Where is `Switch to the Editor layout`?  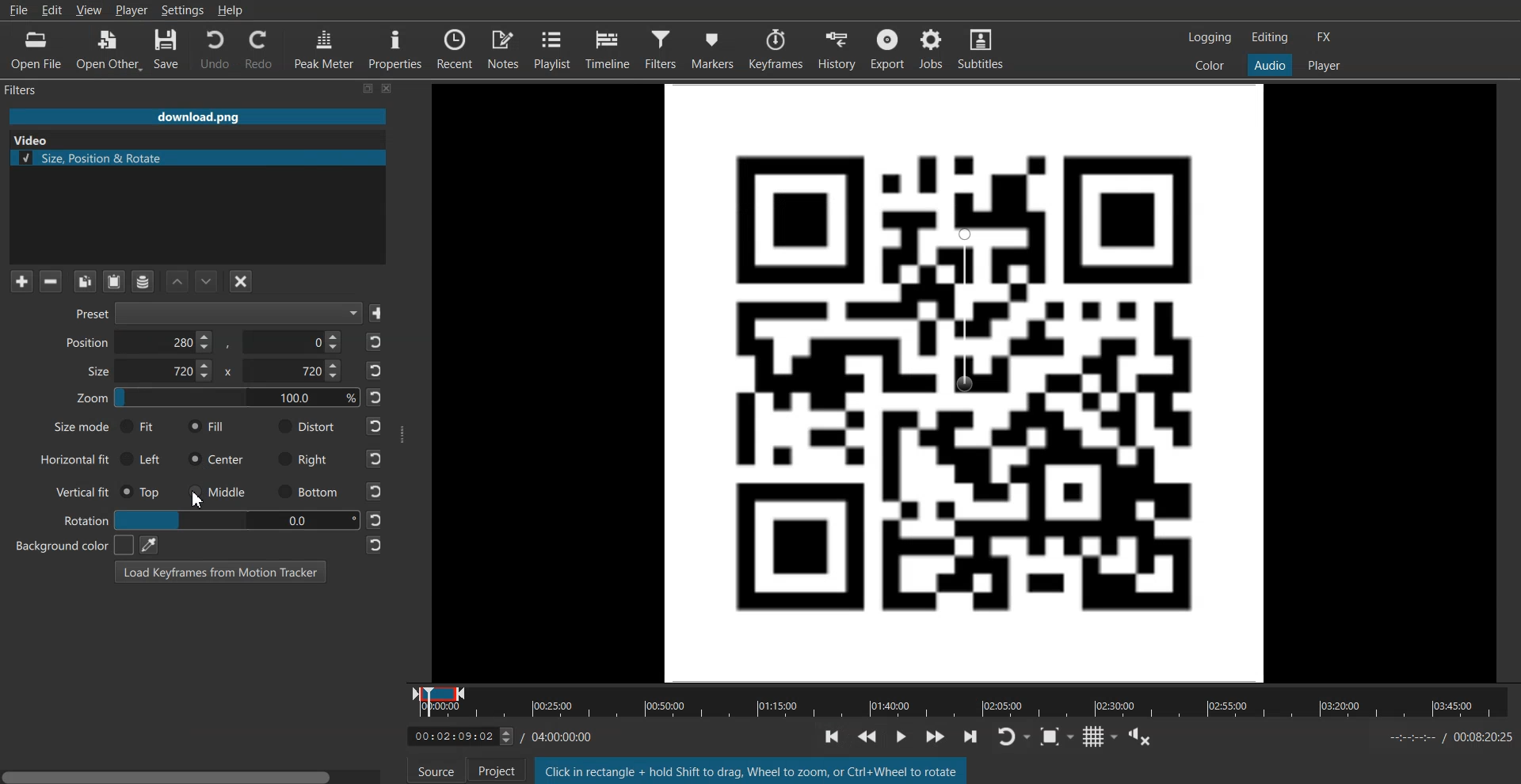 Switch to the Editor layout is located at coordinates (1270, 37).